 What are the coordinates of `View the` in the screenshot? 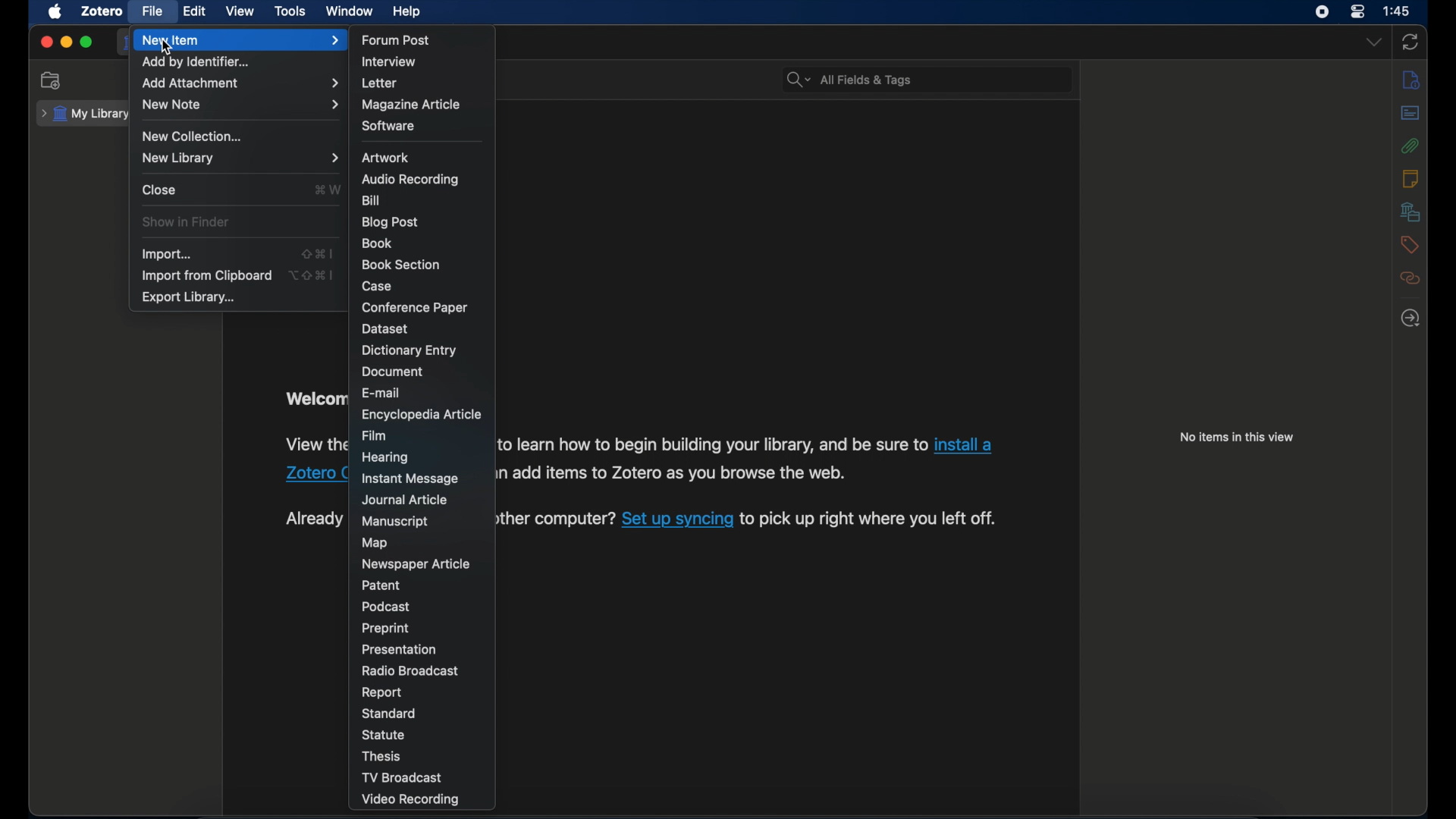 It's located at (315, 444).